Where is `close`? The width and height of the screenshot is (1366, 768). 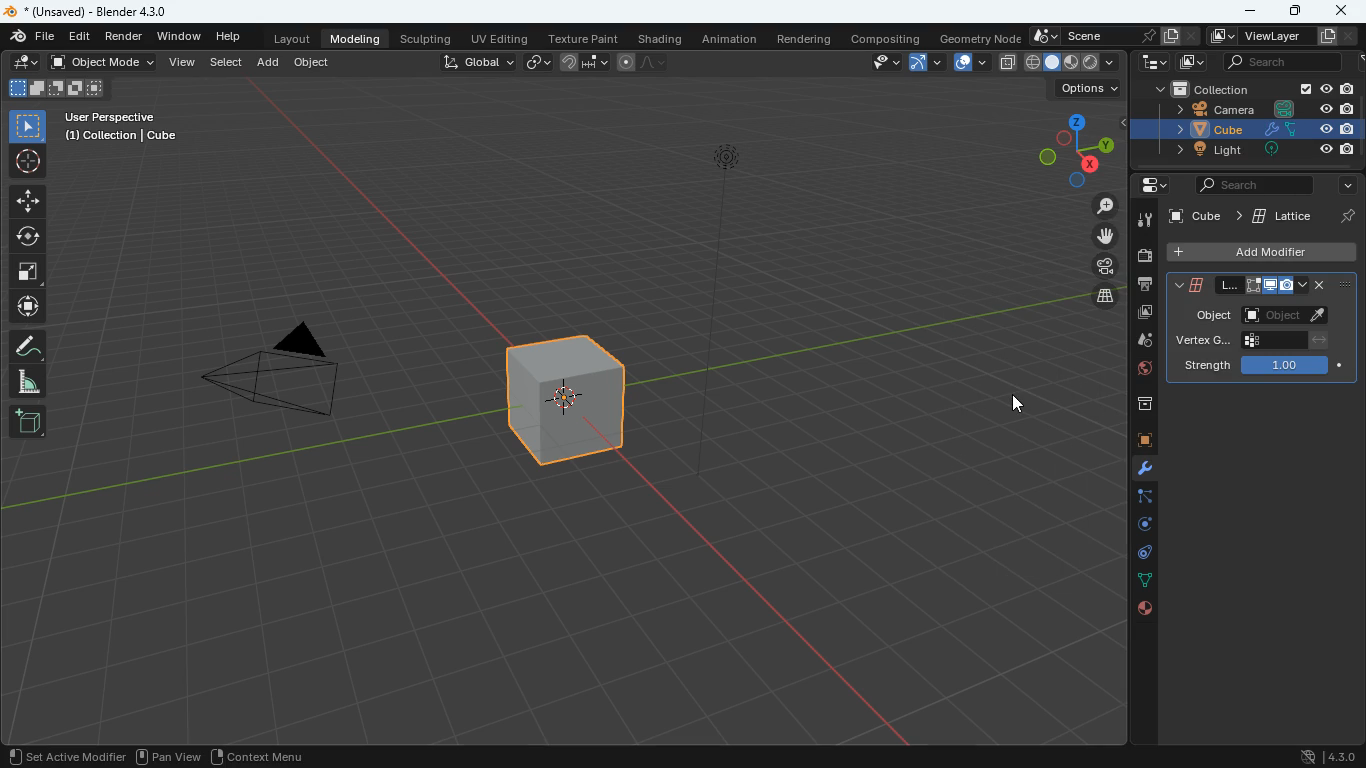
close is located at coordinates (1341, 11).